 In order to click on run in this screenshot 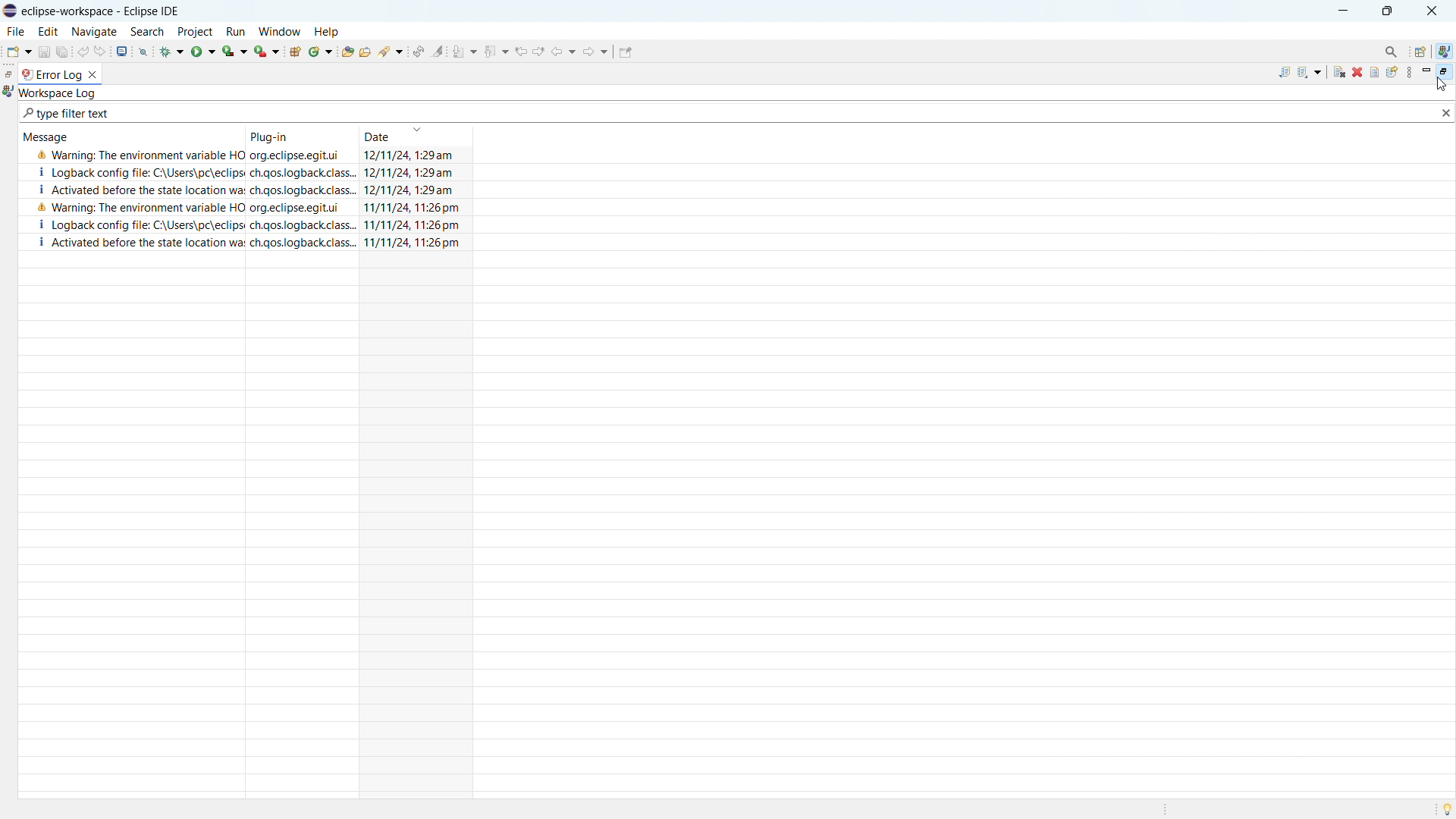, I will do `click(202, 51)`.